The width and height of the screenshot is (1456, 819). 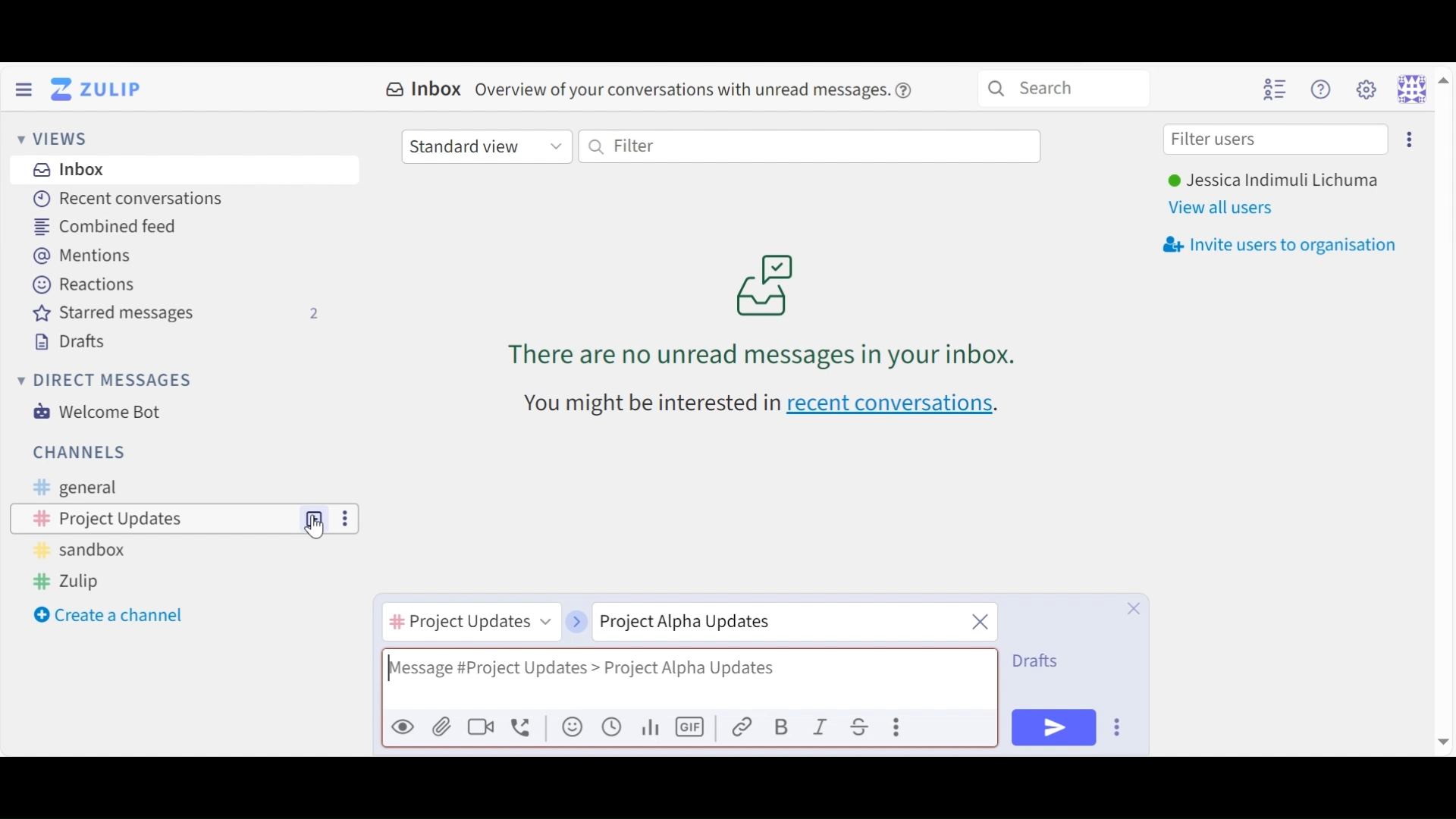 What do you see at coordinates (1134, 608) in the screenshot?
I see `Close` at bounding box center [1134, 608].